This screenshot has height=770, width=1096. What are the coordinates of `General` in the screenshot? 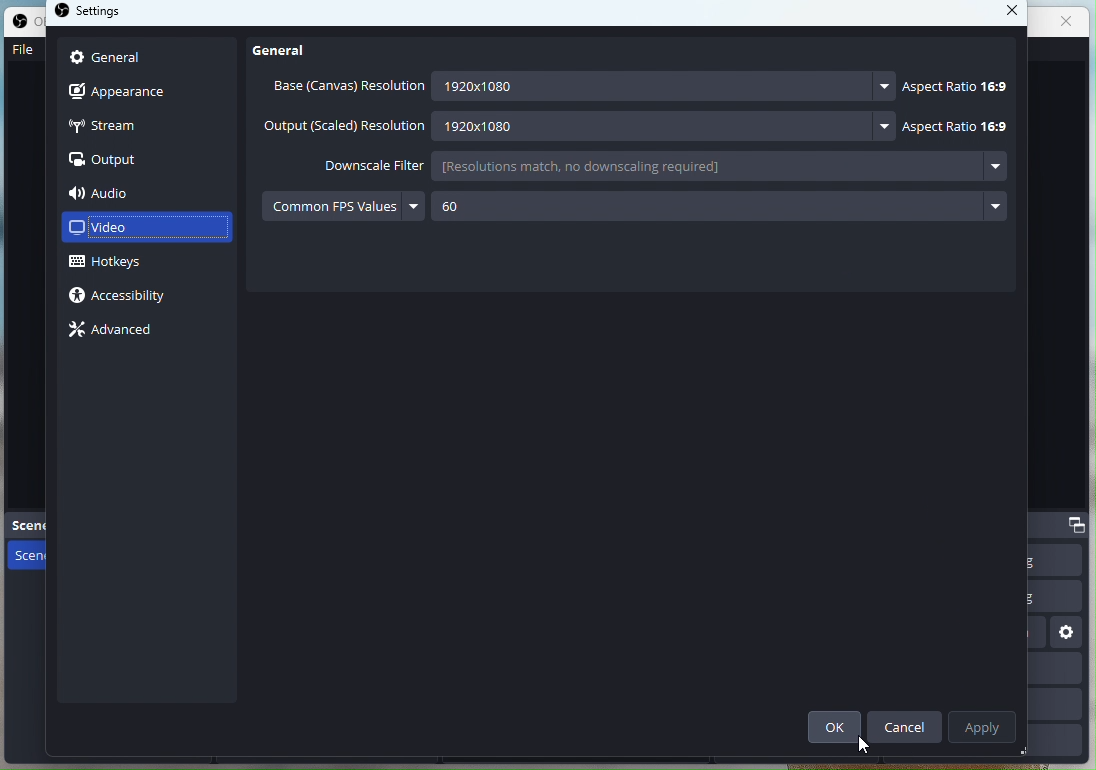 It's located at (288, 49).